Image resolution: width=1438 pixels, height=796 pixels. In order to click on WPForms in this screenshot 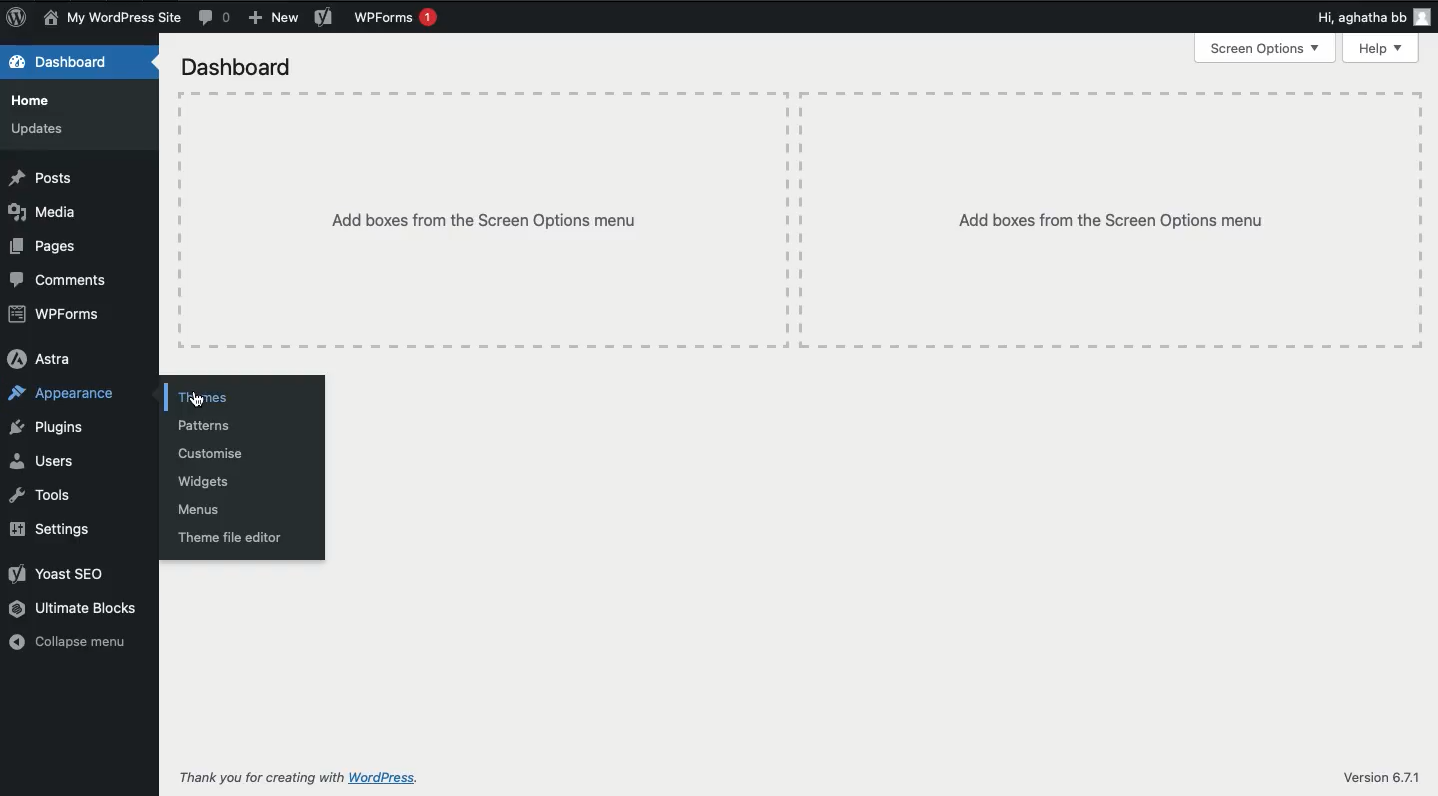, I will do `click(57, 317)`.